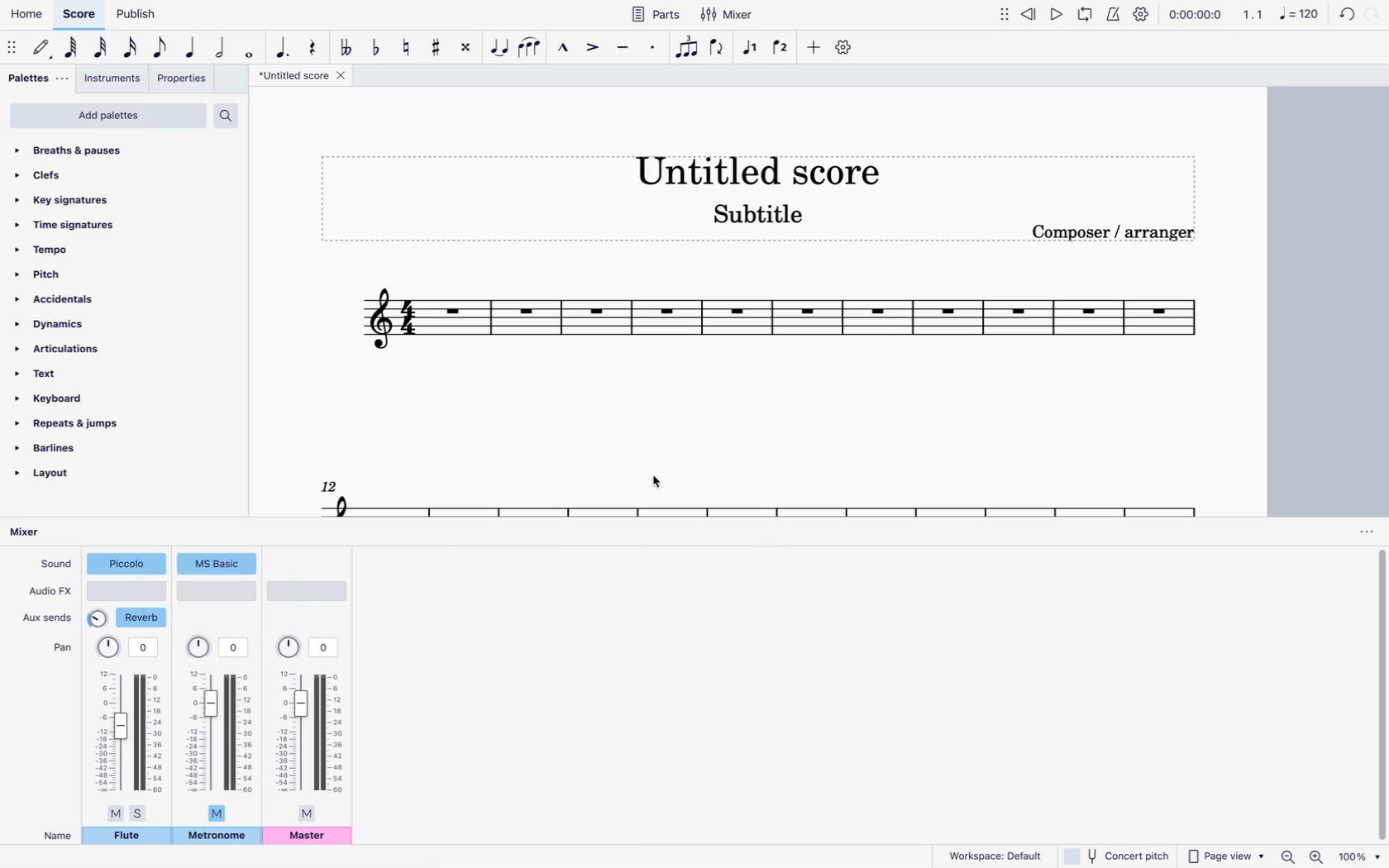 This screenshot has height=868, width=1389. What do you see at coordinates (219, 727) in the screenshot?
I see `pan` at bounding box center [219, 727].